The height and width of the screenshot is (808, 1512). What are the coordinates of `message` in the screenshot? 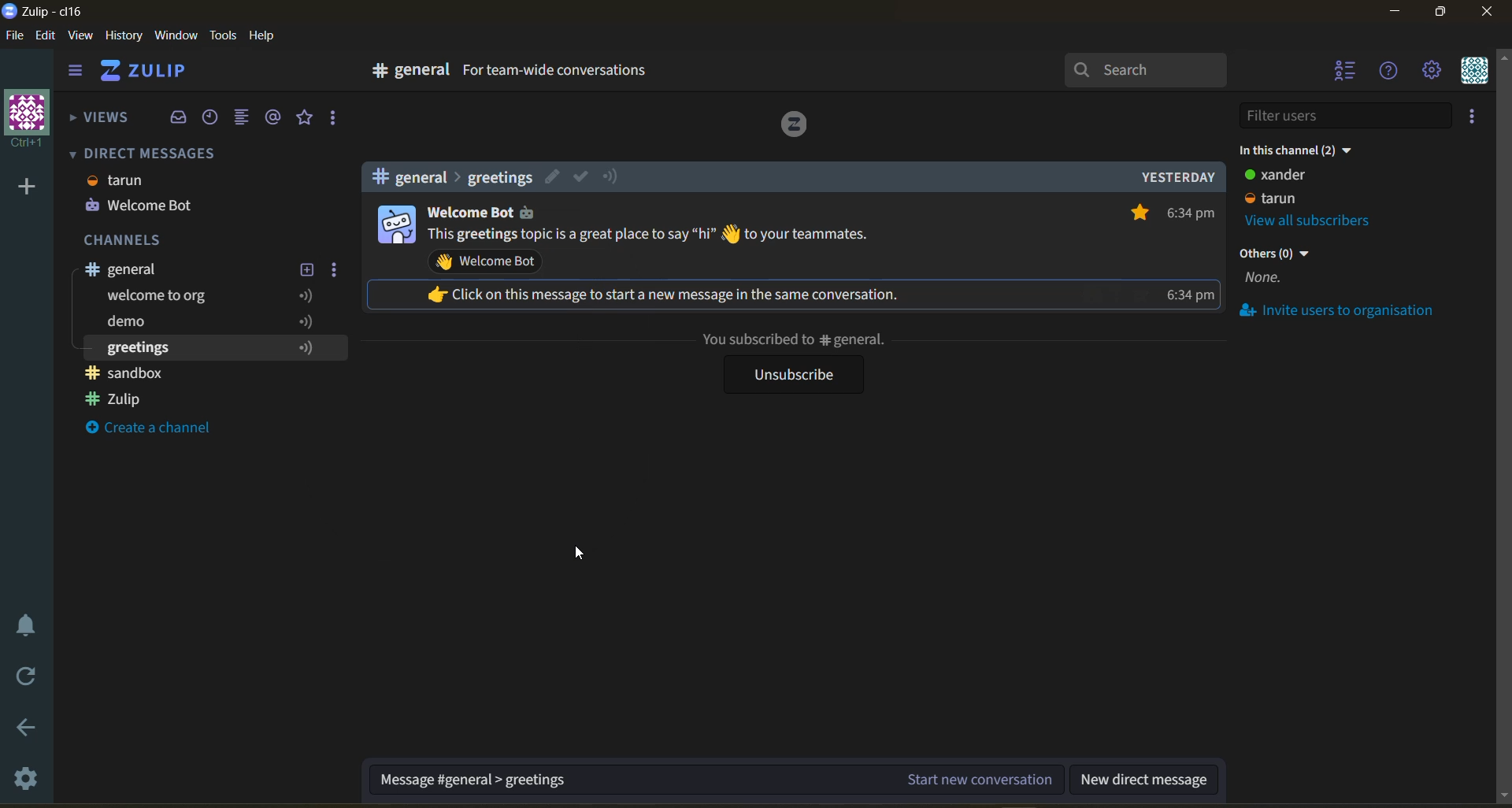 It's located at (652, 236).